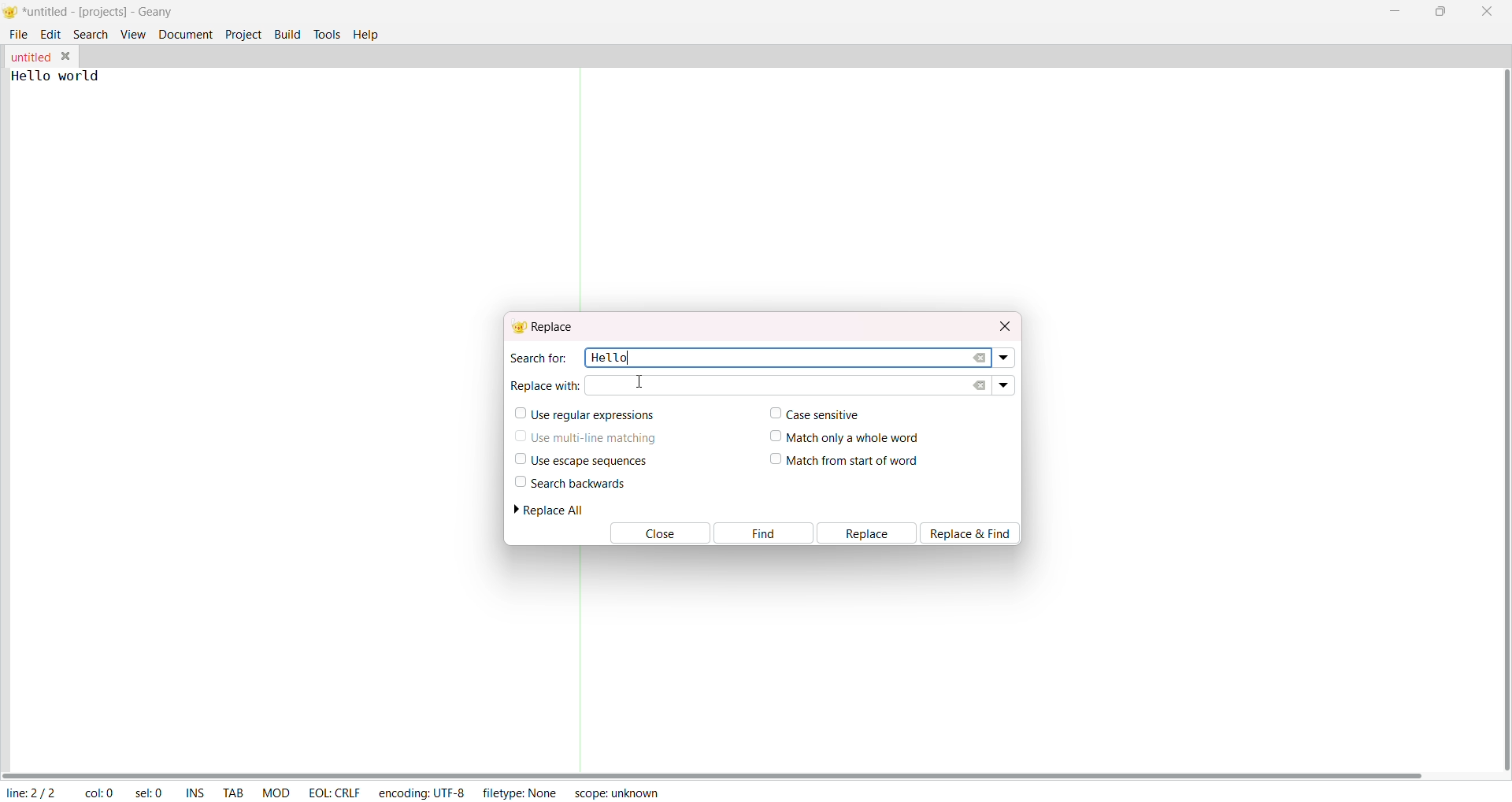 The image size is (1512, 802). I want to click on search dropdown, so click(1006, 358).